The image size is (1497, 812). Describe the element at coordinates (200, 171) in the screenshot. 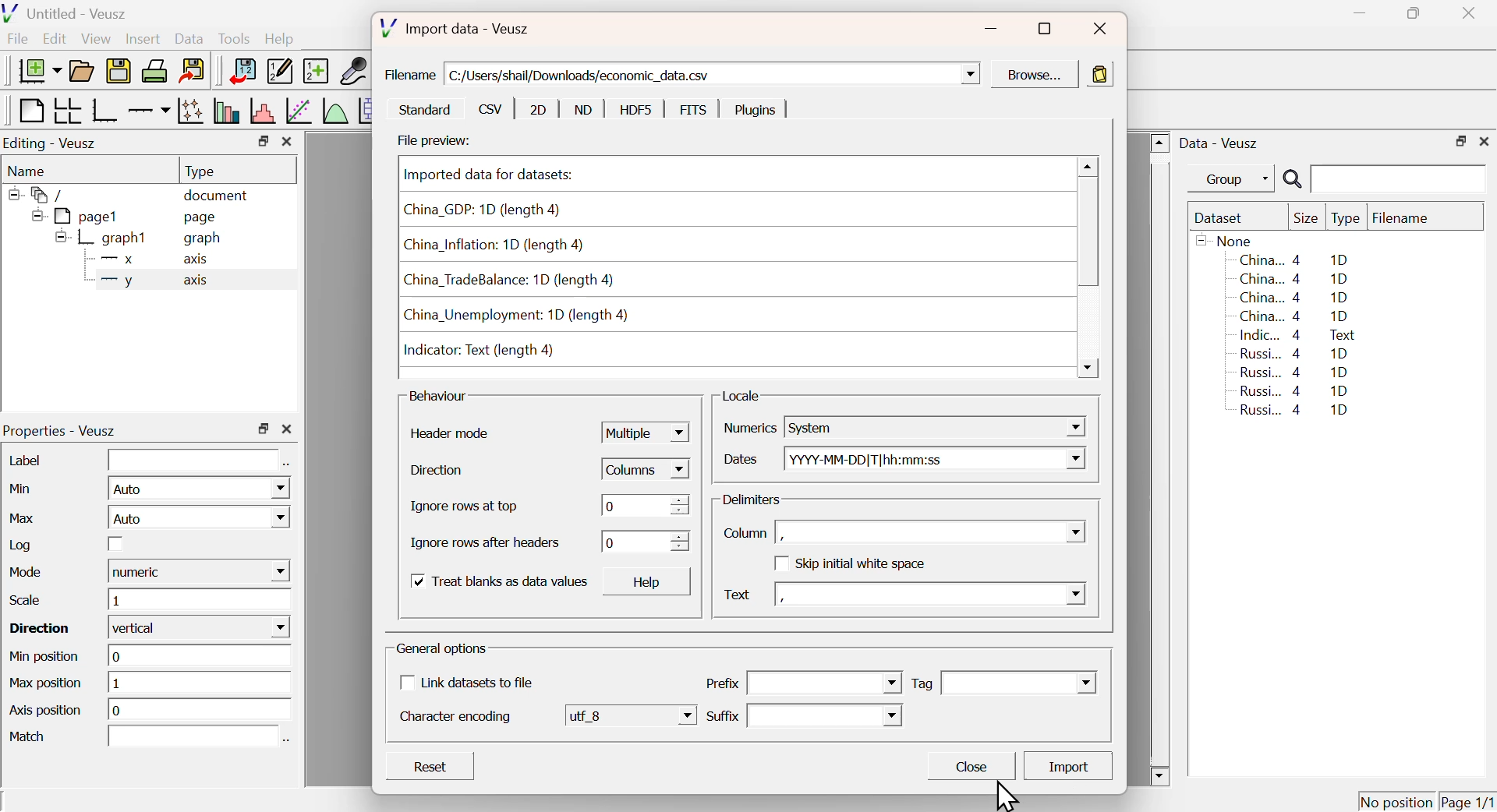

I see `Type` at that location.